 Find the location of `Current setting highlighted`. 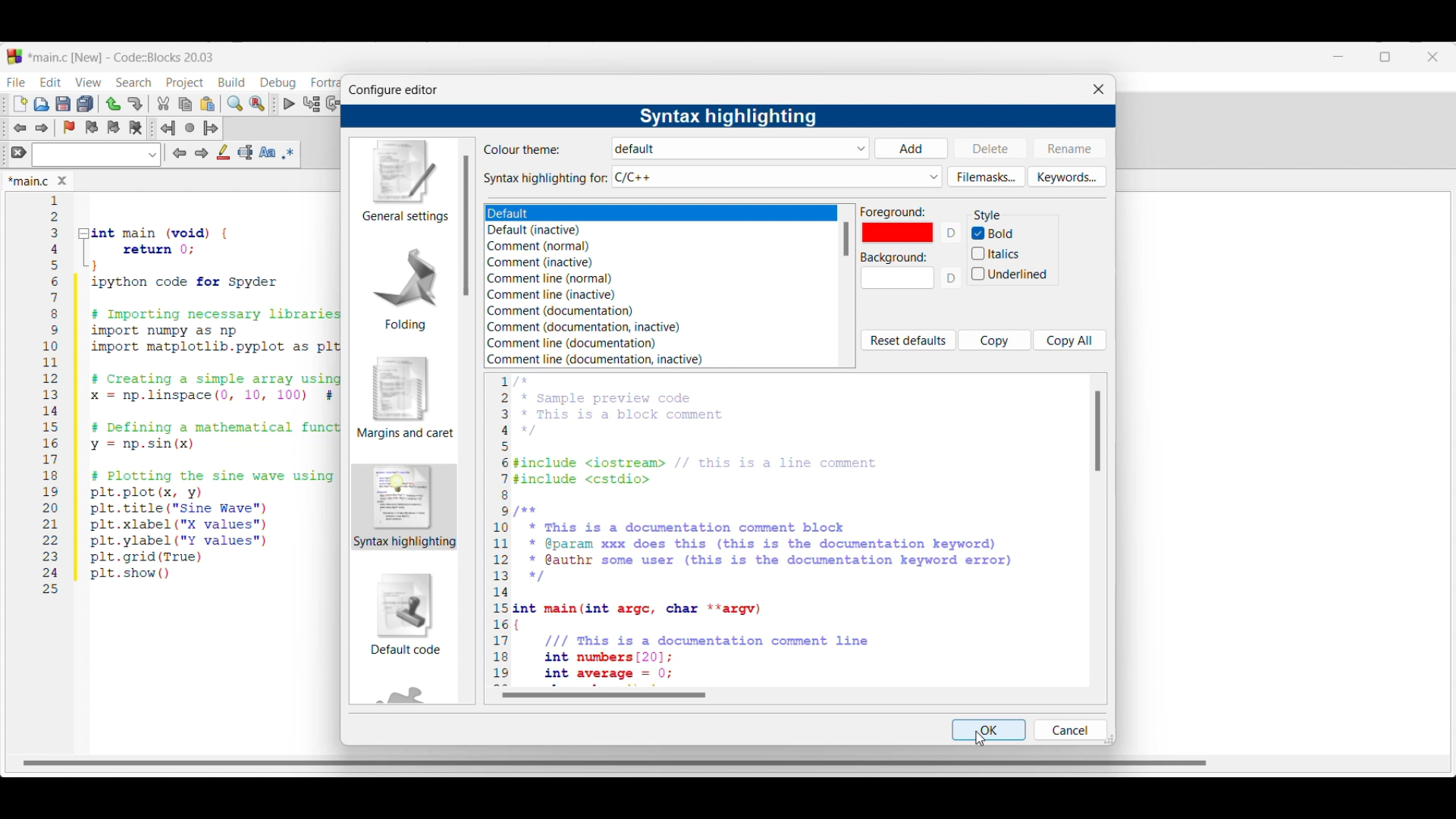

Current setting highlighted is located at coordinates (405, 507).